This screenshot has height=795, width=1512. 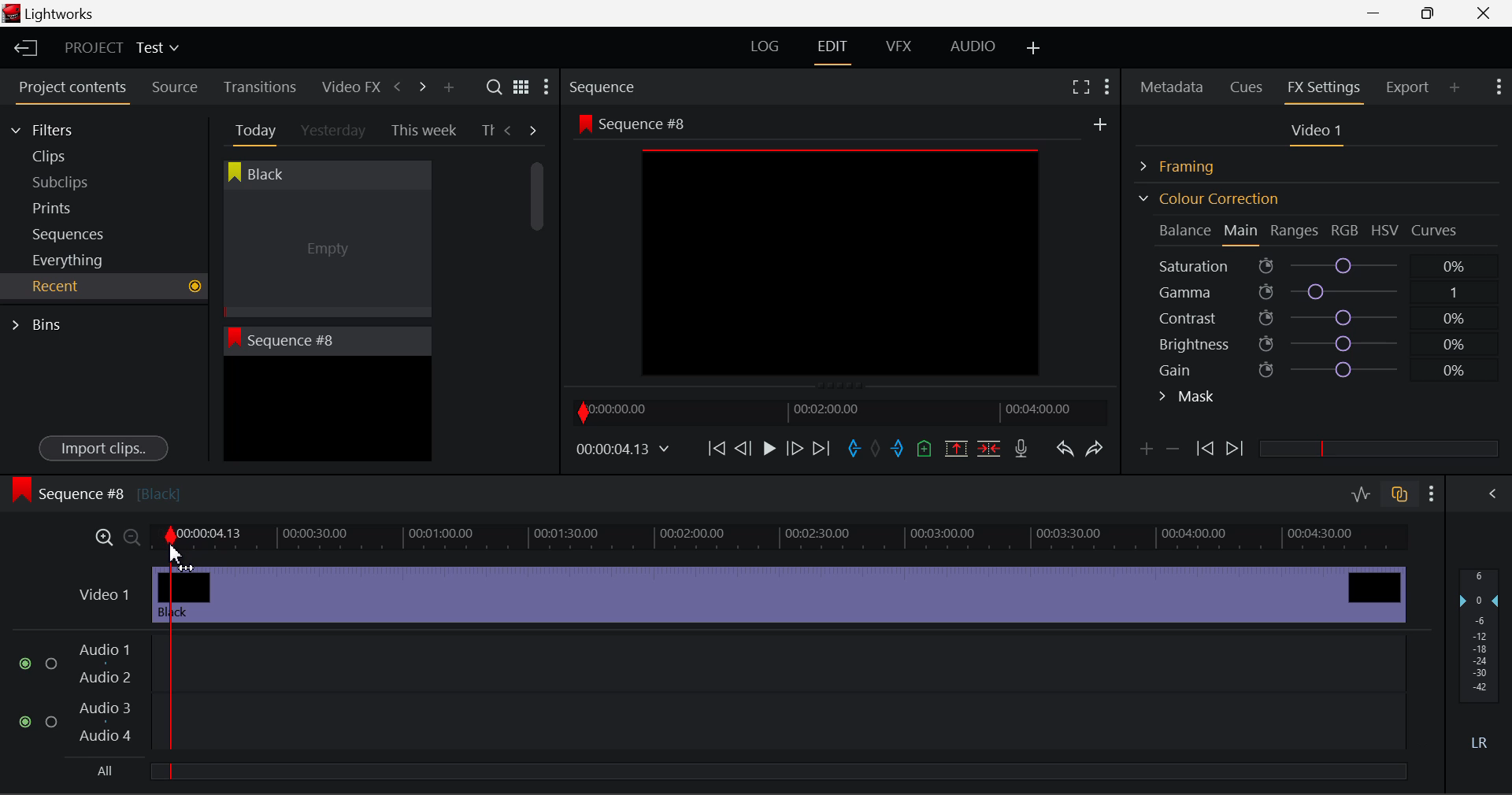 I want to click on Curves, so click(x=1436, y=230).